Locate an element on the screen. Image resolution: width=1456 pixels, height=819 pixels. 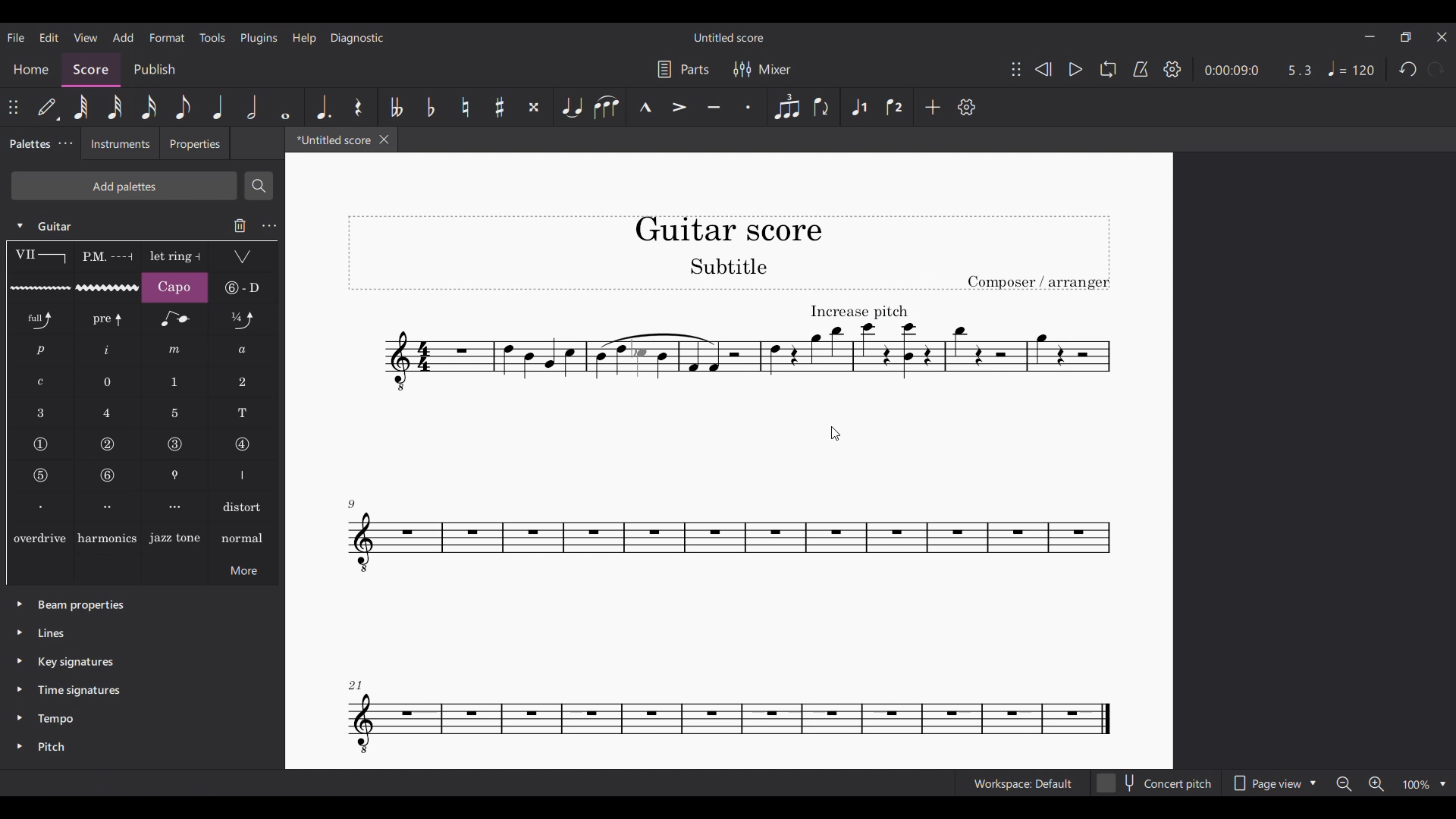
Metronome is located at coordinates (1141, 69).